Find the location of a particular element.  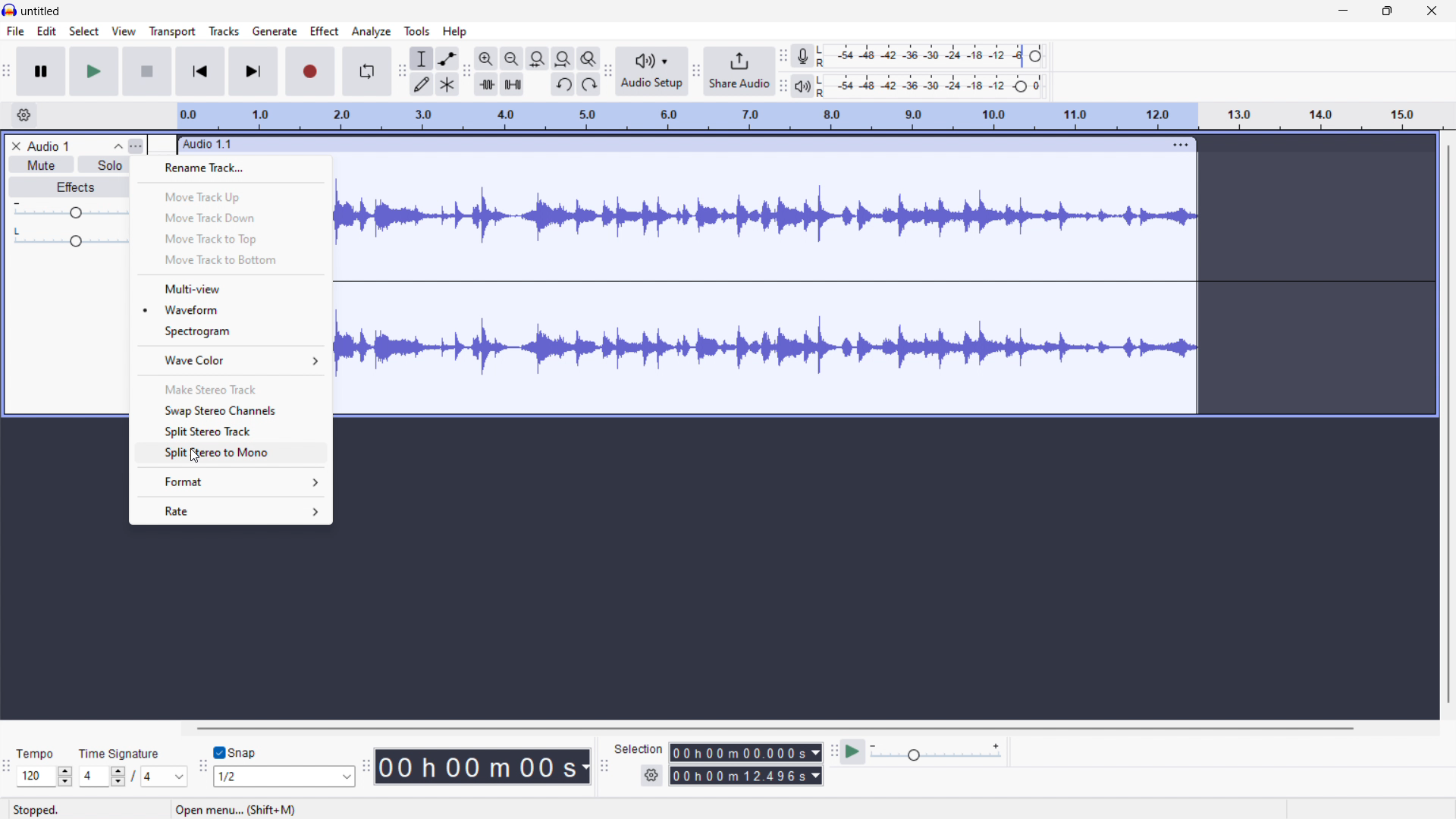

Drop down is located at coordinates (116, 777).